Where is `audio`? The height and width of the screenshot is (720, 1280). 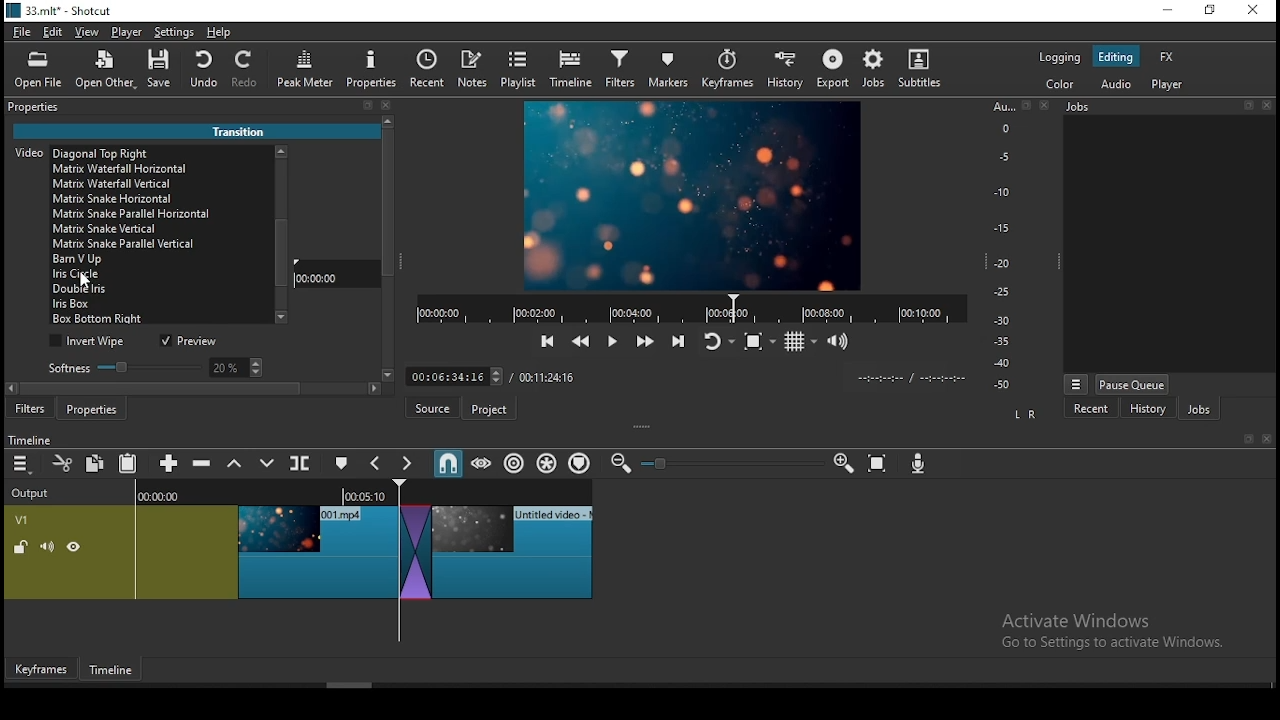 audio is located at coordinates (1117, 84).